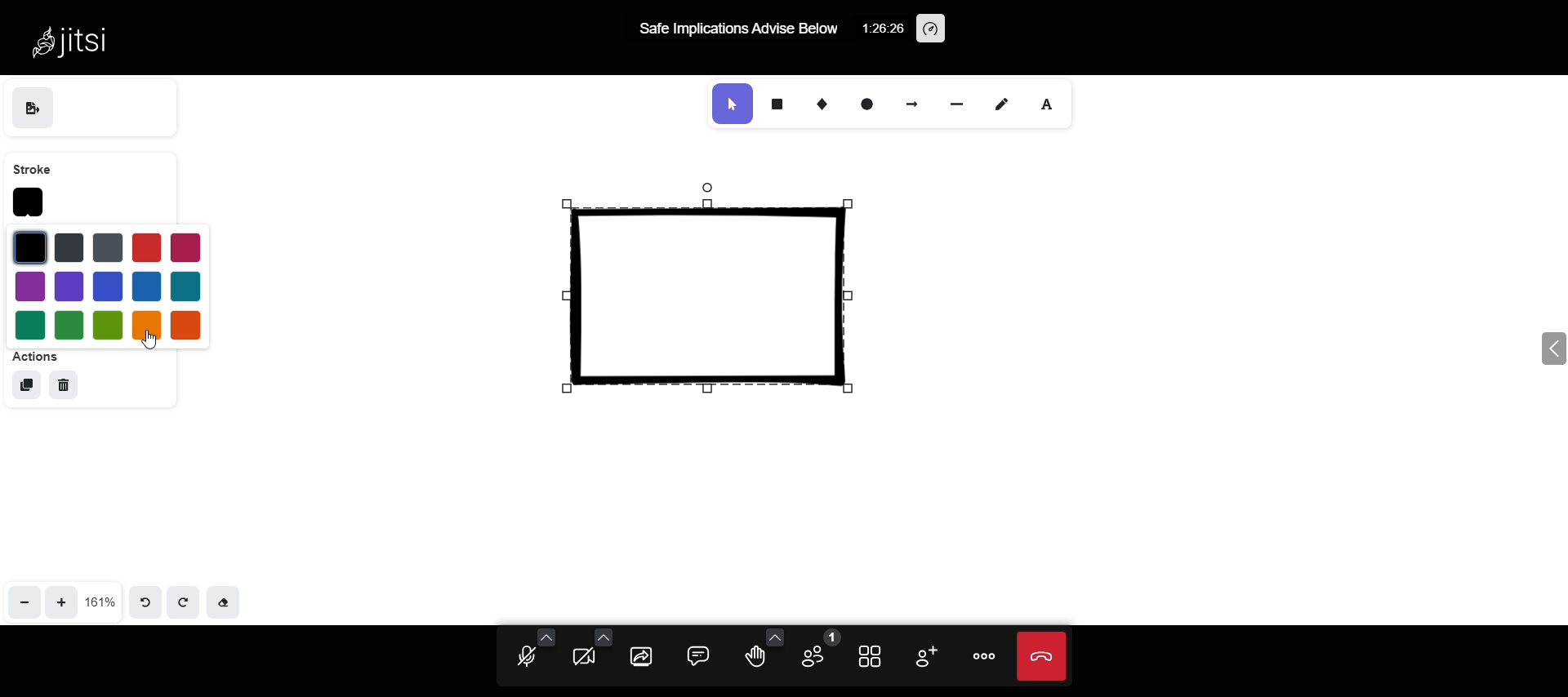 This screenshot has height=697, width=1568. I want to click on ellipse, so click(863, 101).